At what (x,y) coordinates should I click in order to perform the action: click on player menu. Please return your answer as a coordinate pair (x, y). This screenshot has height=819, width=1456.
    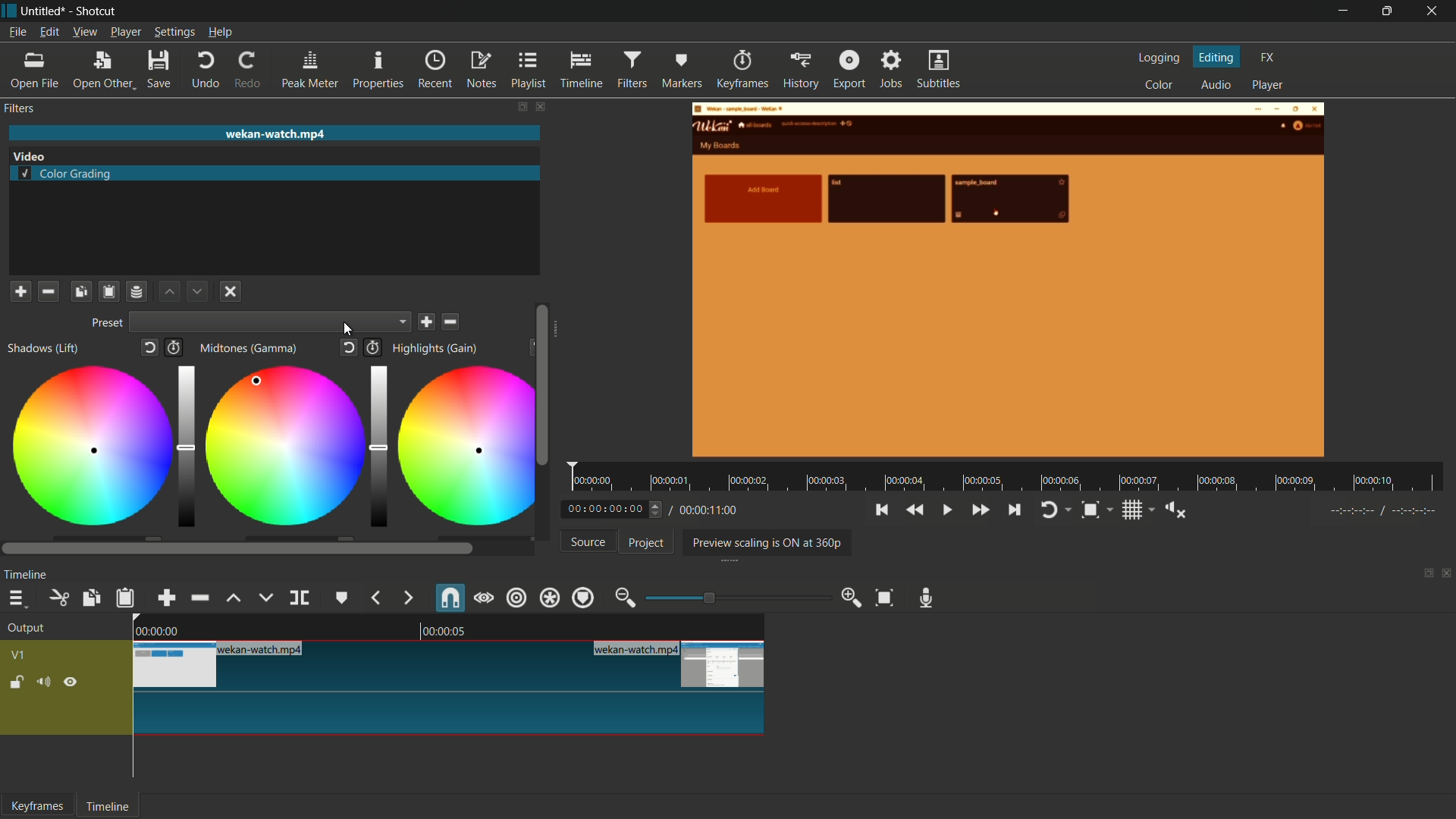
    Looking at the image, I should click on (125, 32).